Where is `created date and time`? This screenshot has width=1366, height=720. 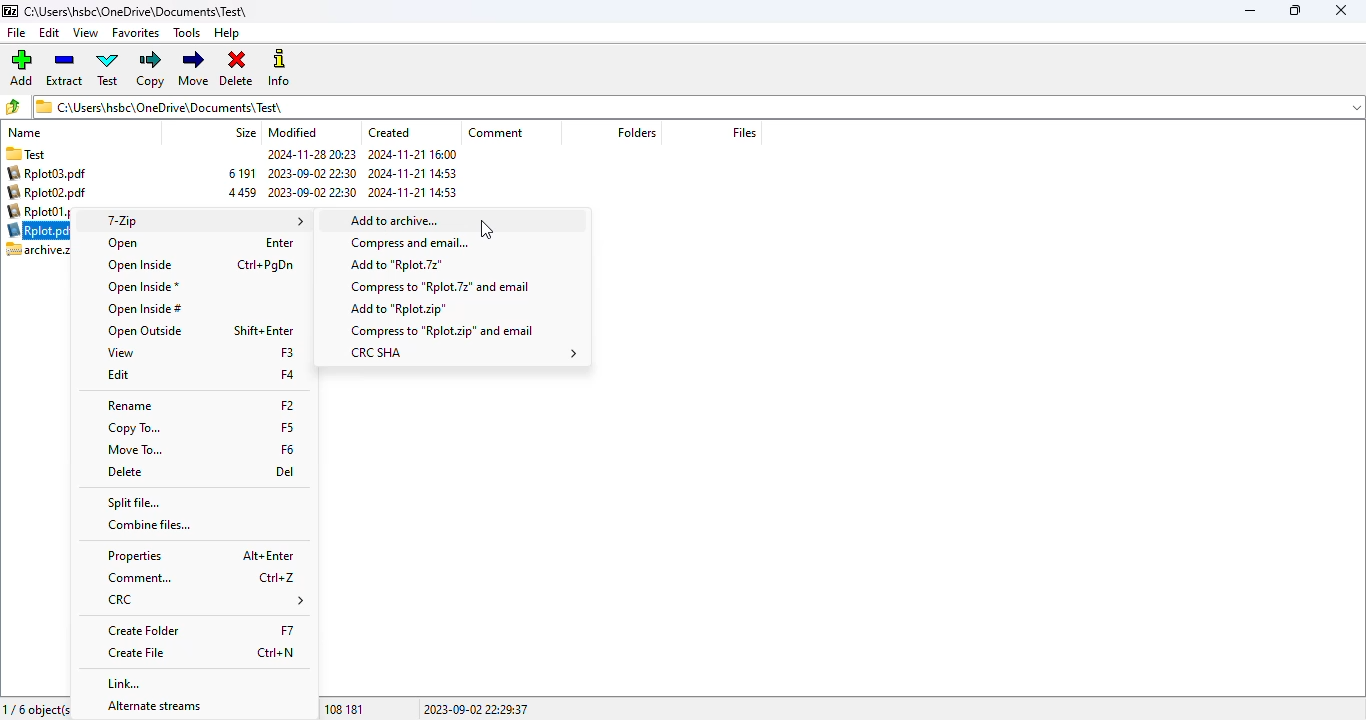 created date and time is located at coordinates (413, 175).